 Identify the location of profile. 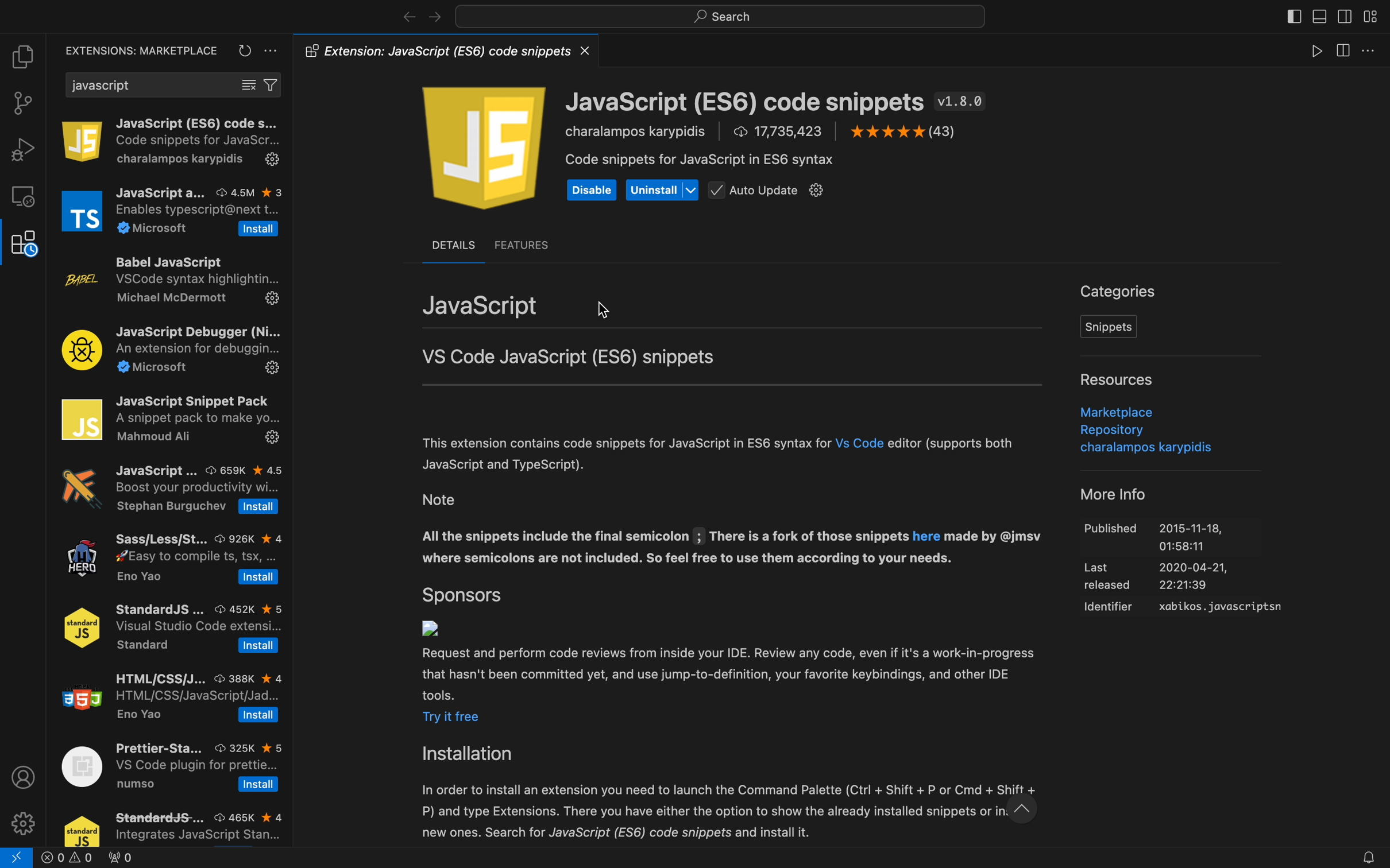
(23, 776).